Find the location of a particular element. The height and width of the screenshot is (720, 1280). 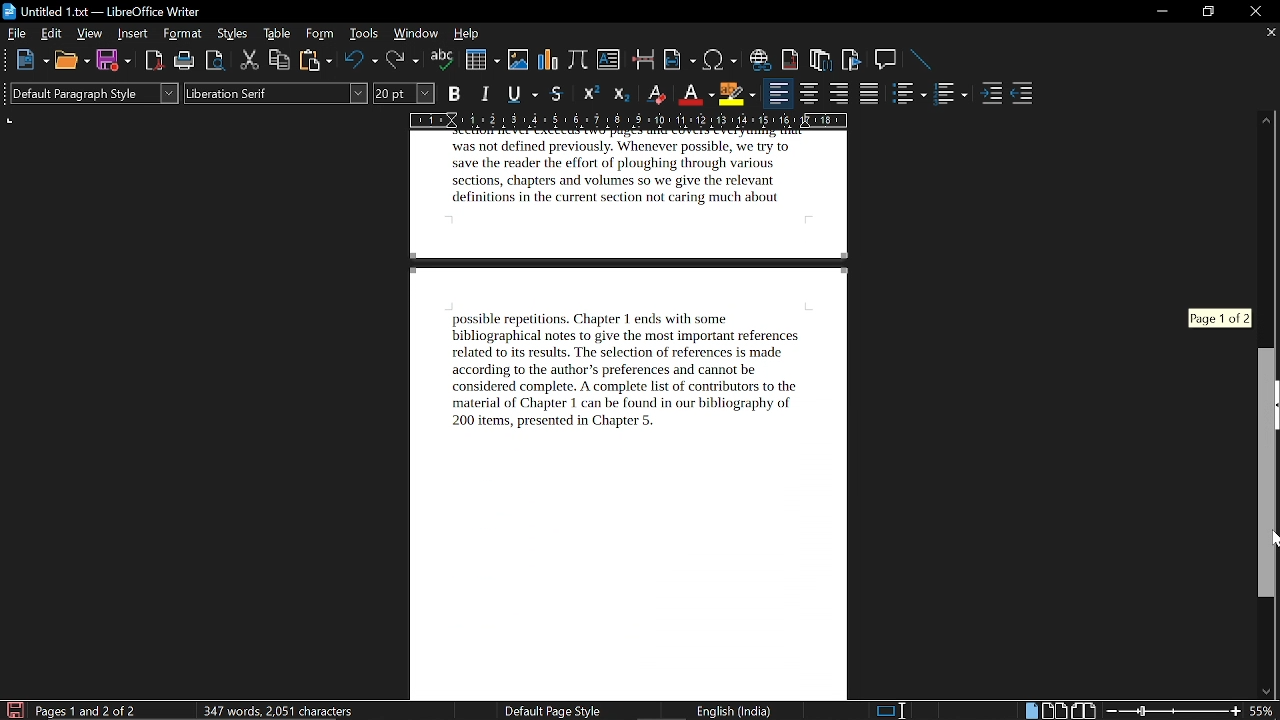

page 1of 2 is located at coordinates (1225, 316).